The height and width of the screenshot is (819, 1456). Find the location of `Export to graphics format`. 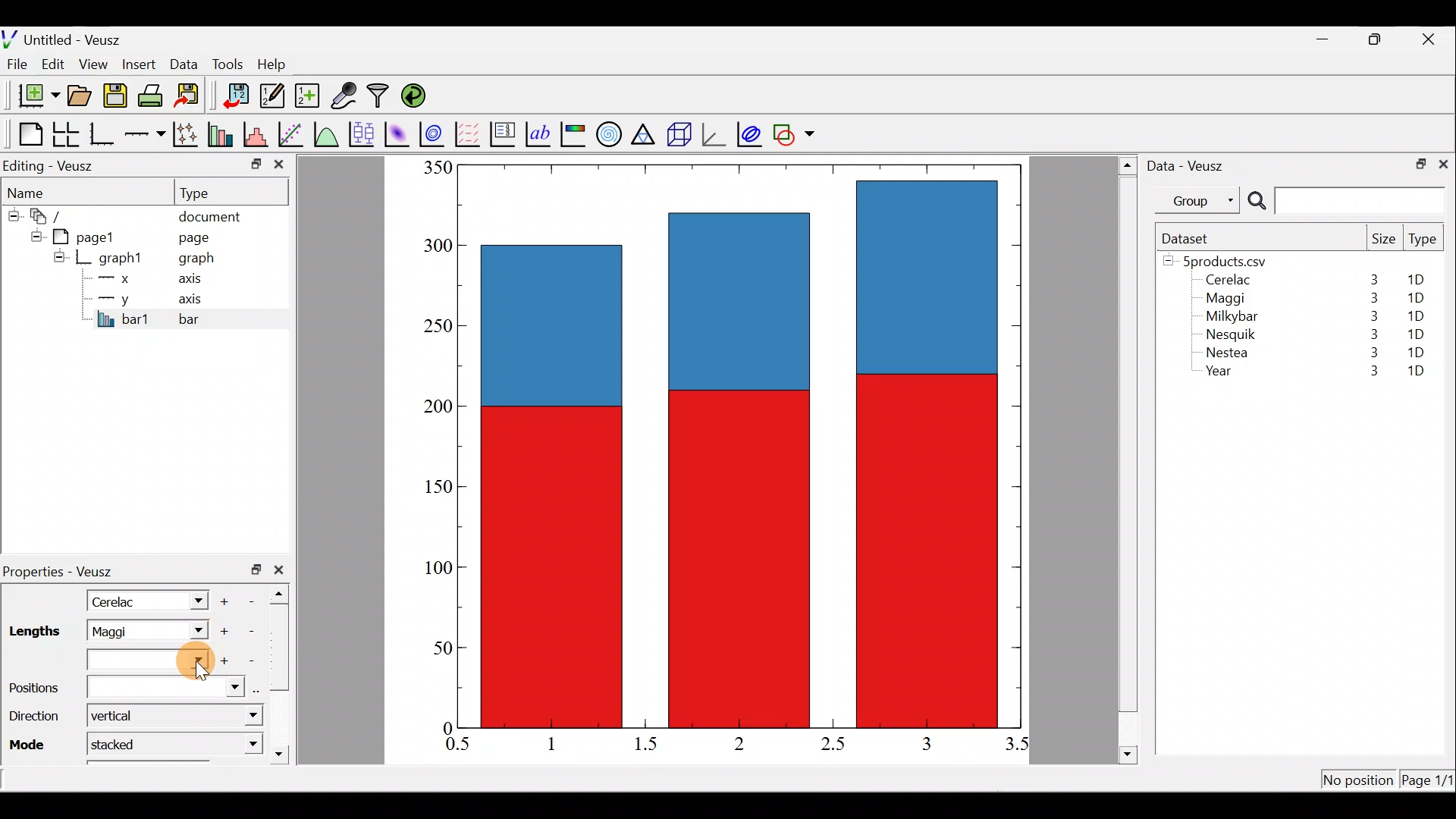

Export to graphics format is located at coordinates (192, 96).